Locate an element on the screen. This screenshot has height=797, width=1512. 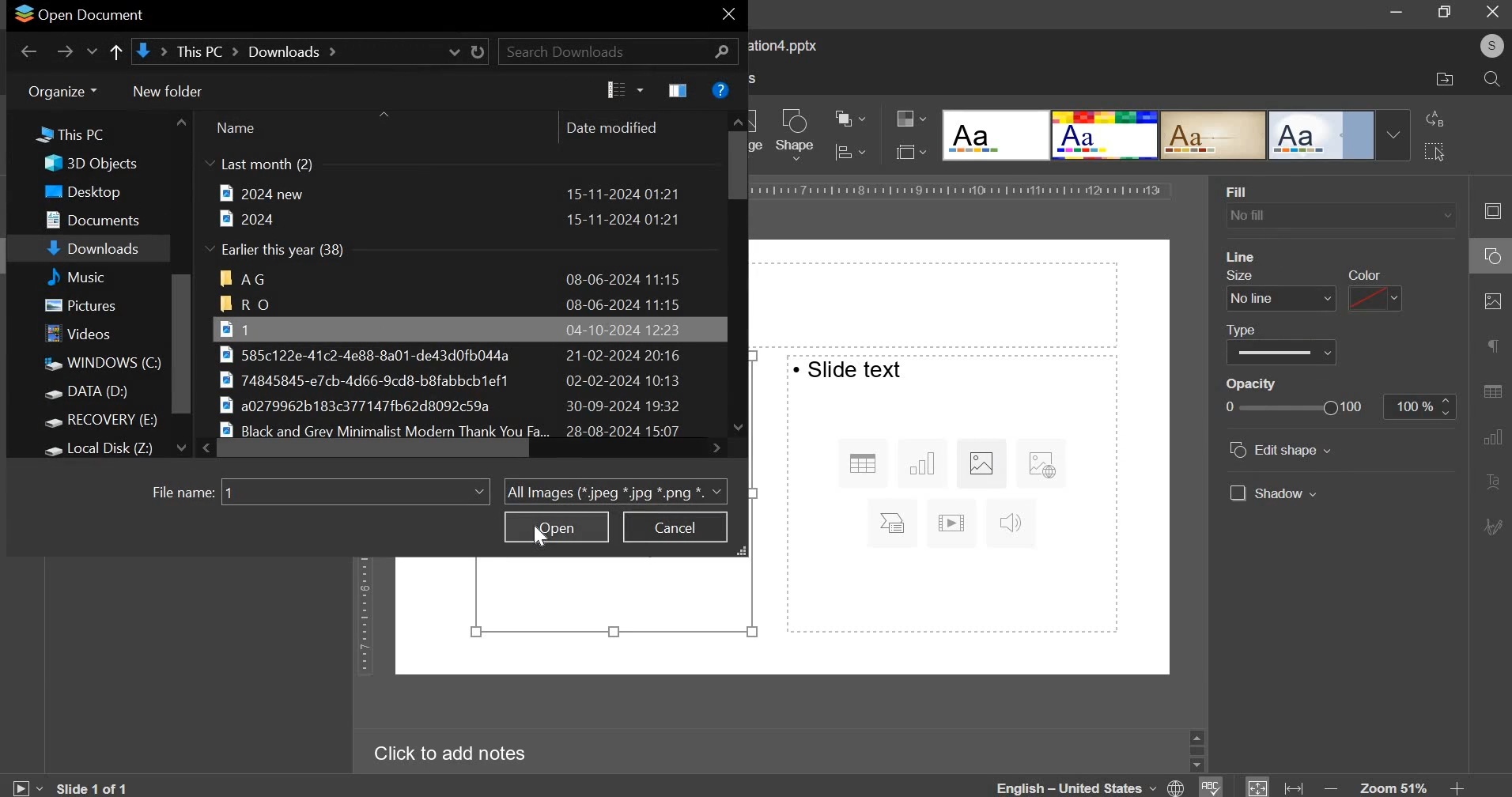
pictures is located at coordinates (89, 308).